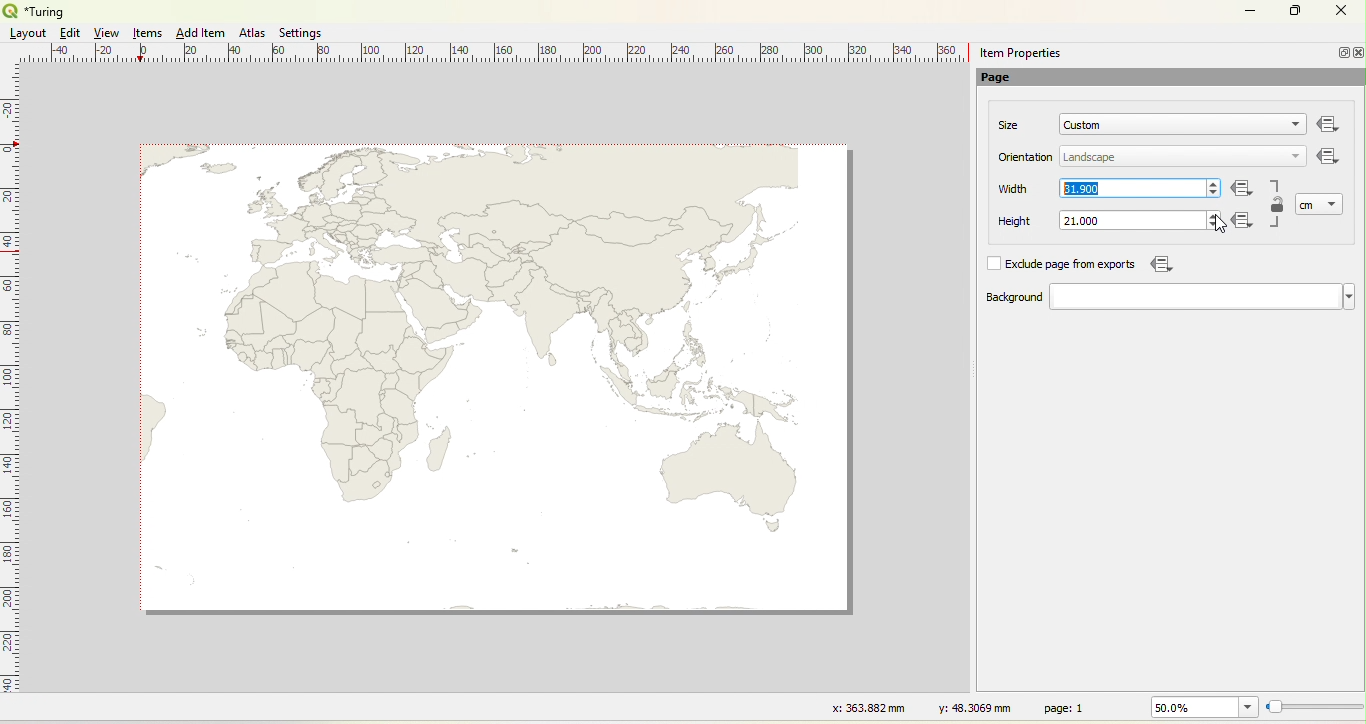 Image resolution: width=1366 pixels, height=724 pixels. Describe the element at coordinates (1213, 194) in the screenshot. I see `decrease` at that location.